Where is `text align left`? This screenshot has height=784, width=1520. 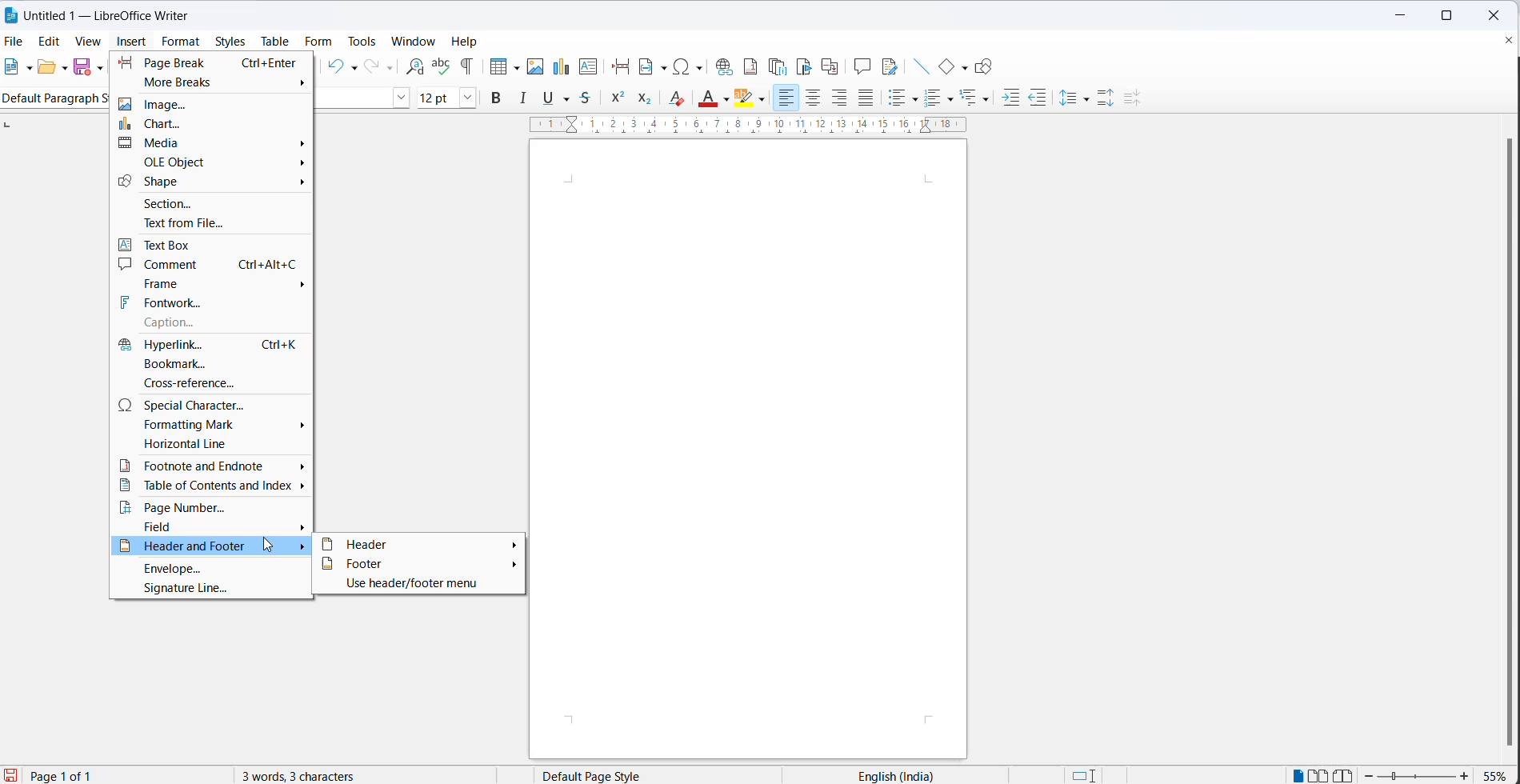
text align left is located at coordinates (787, 98).